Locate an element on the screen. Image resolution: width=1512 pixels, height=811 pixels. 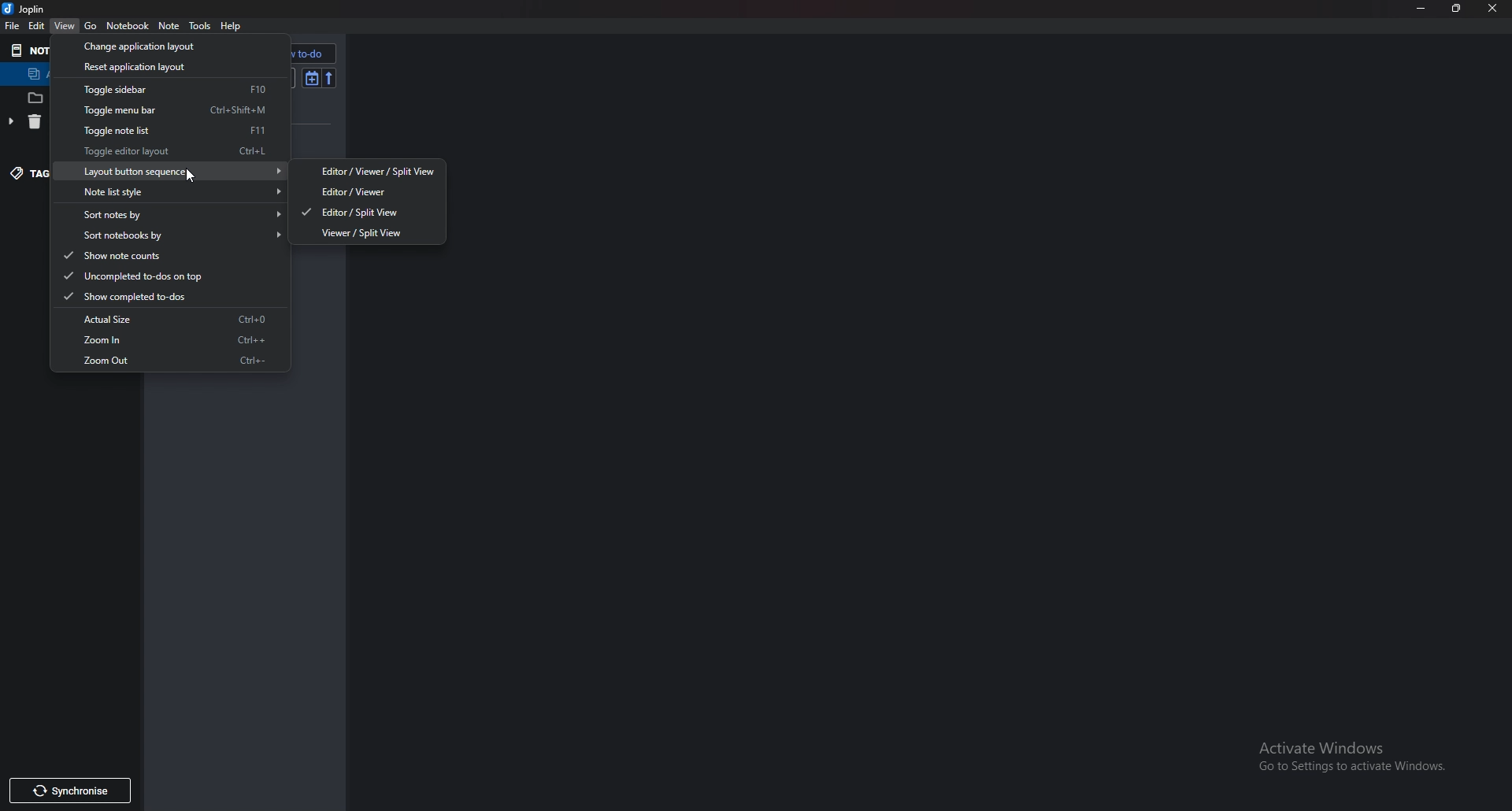
Change application layout is located at coordinates (162, 45).